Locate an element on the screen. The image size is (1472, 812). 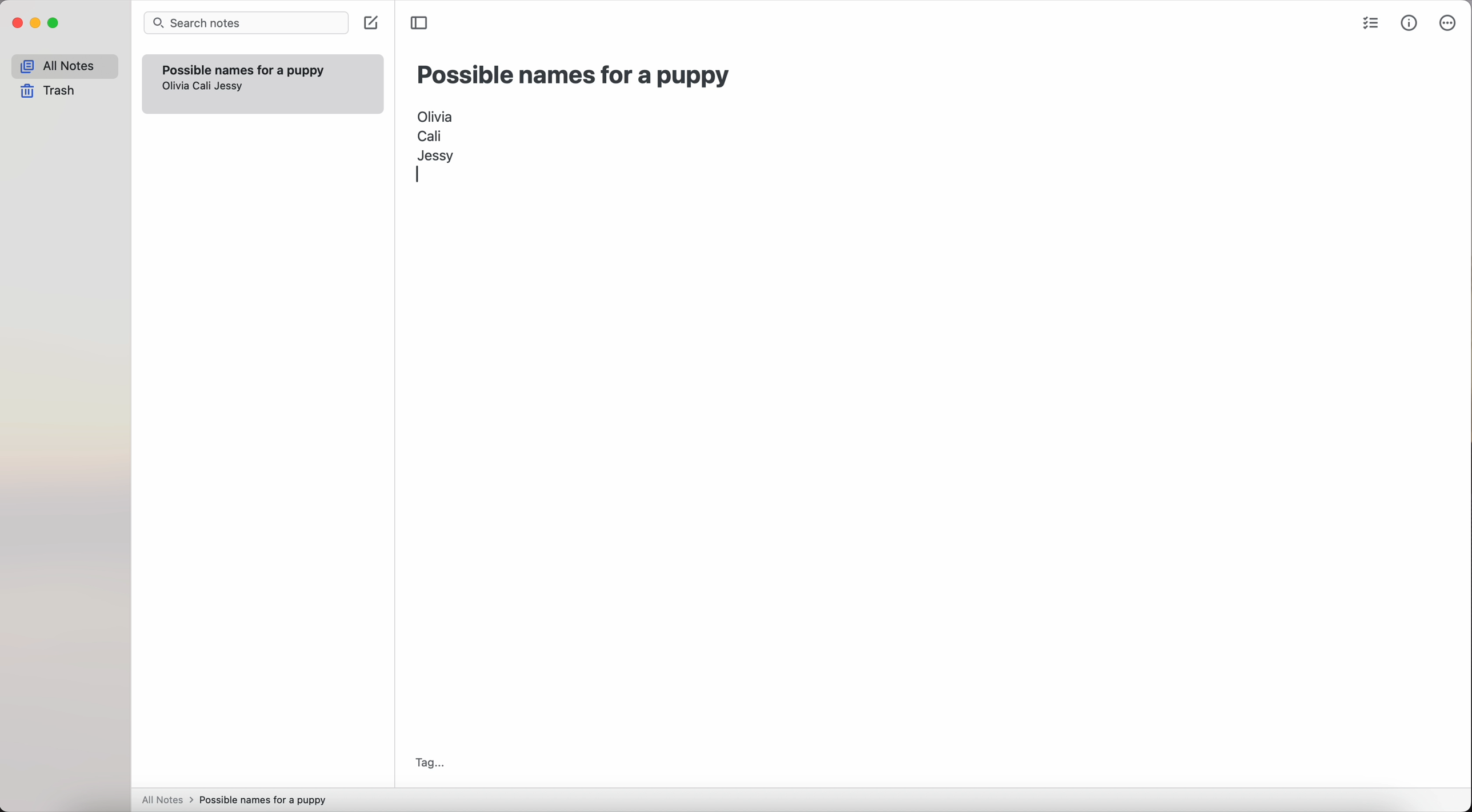
Olivia is located at coordinates (436, 114).